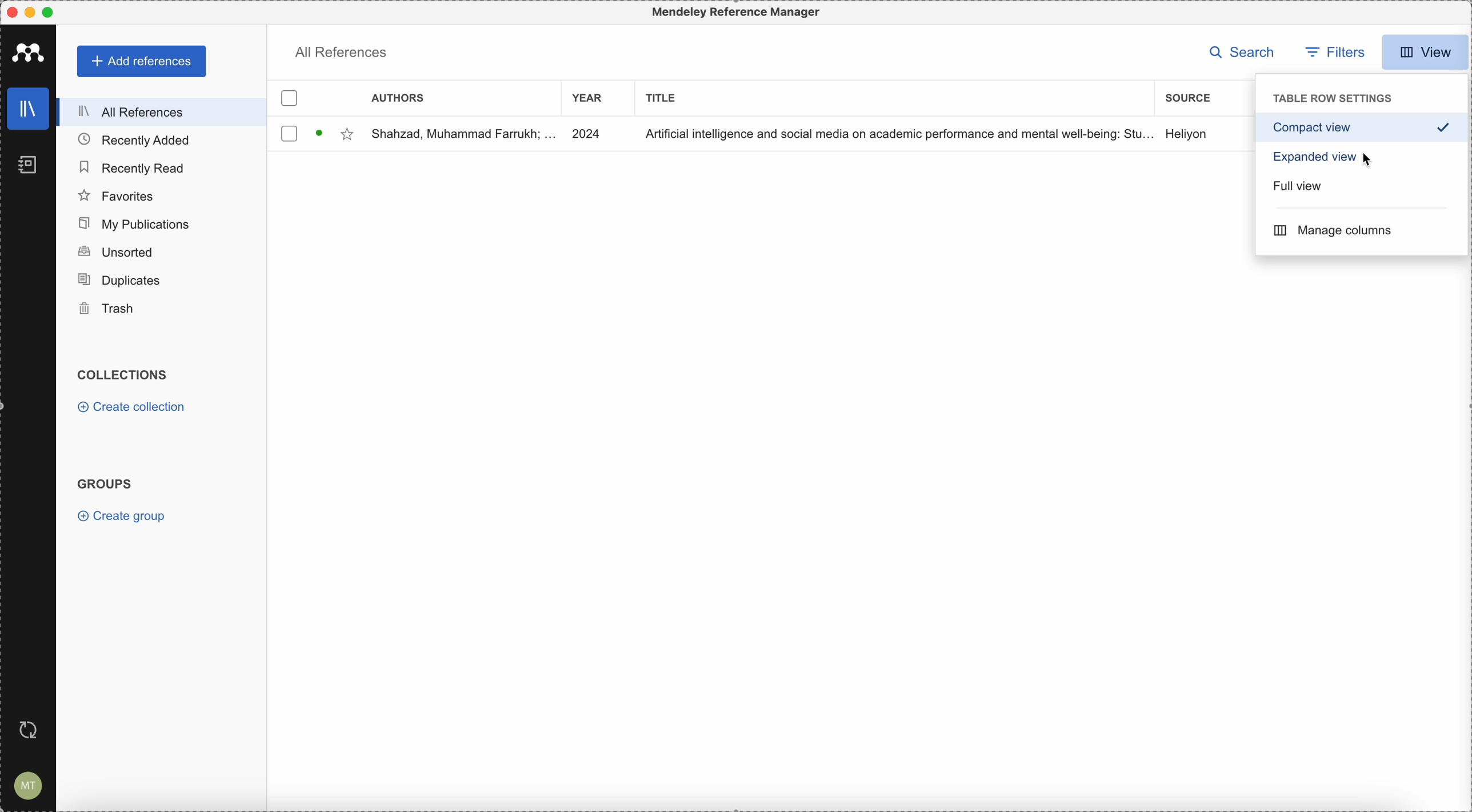  I want to click on authors, so click(398, 99).